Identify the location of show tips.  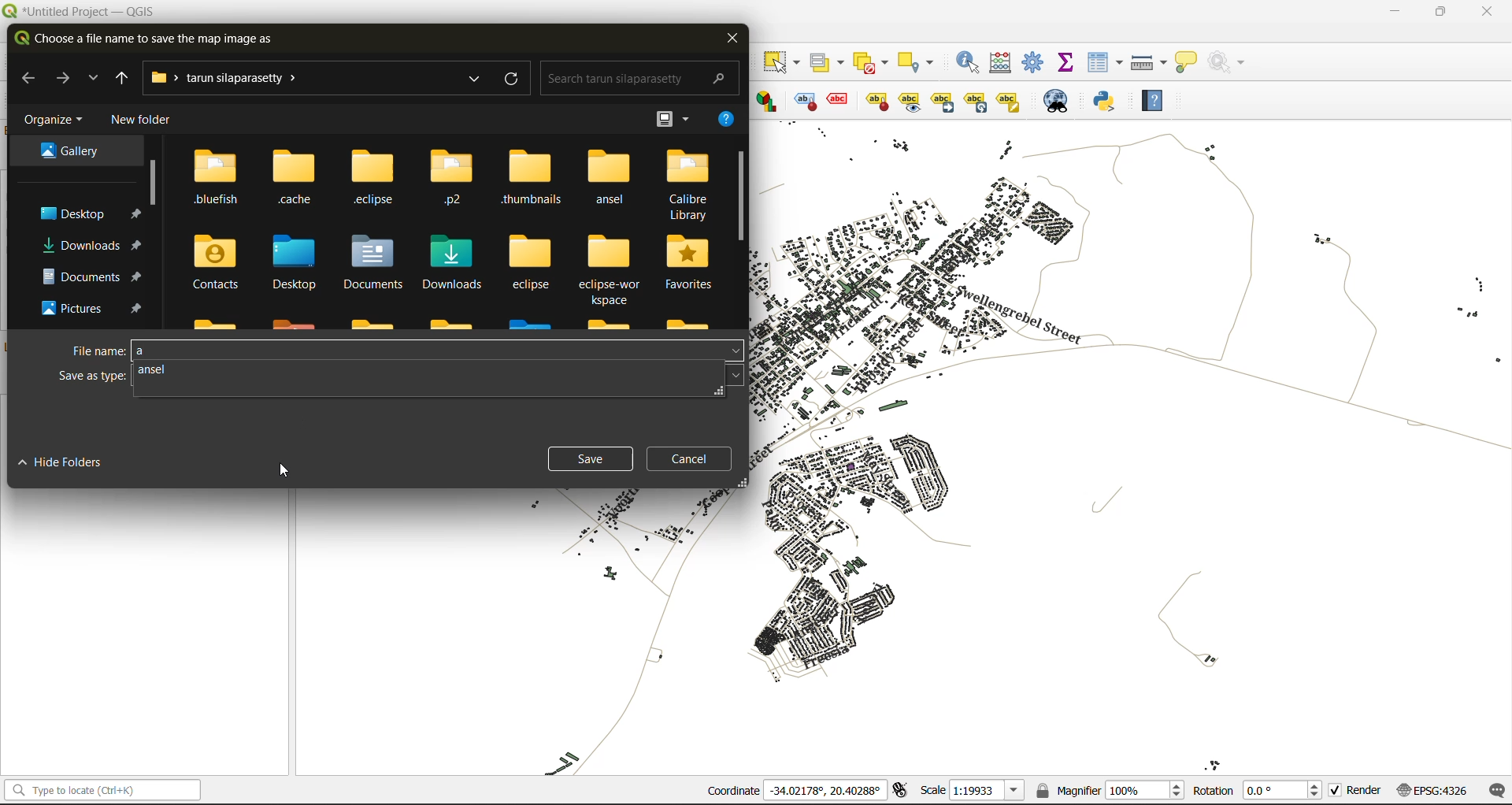
(1191, 61).